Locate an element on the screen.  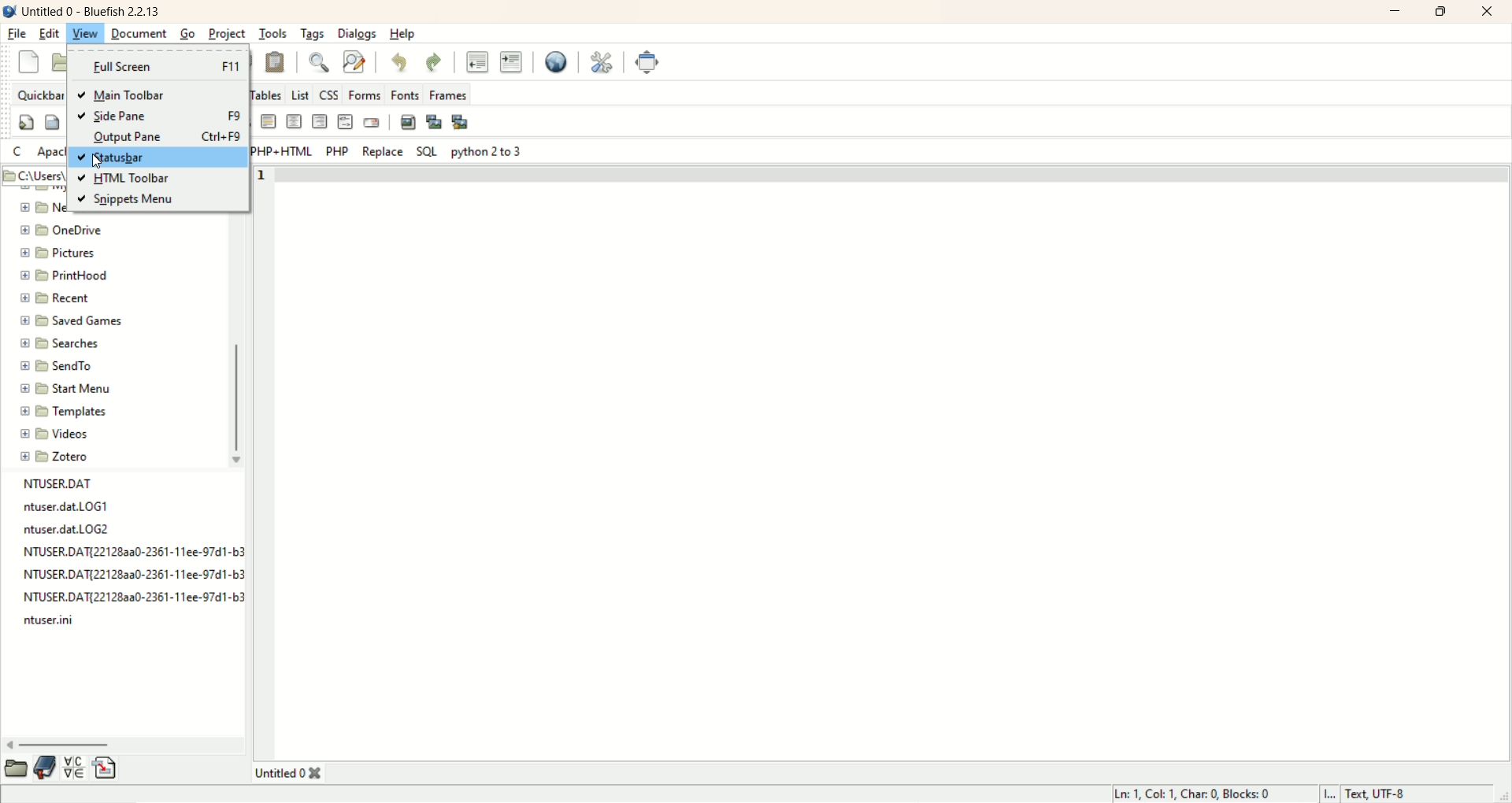
view is located at coordinates (87, 32).